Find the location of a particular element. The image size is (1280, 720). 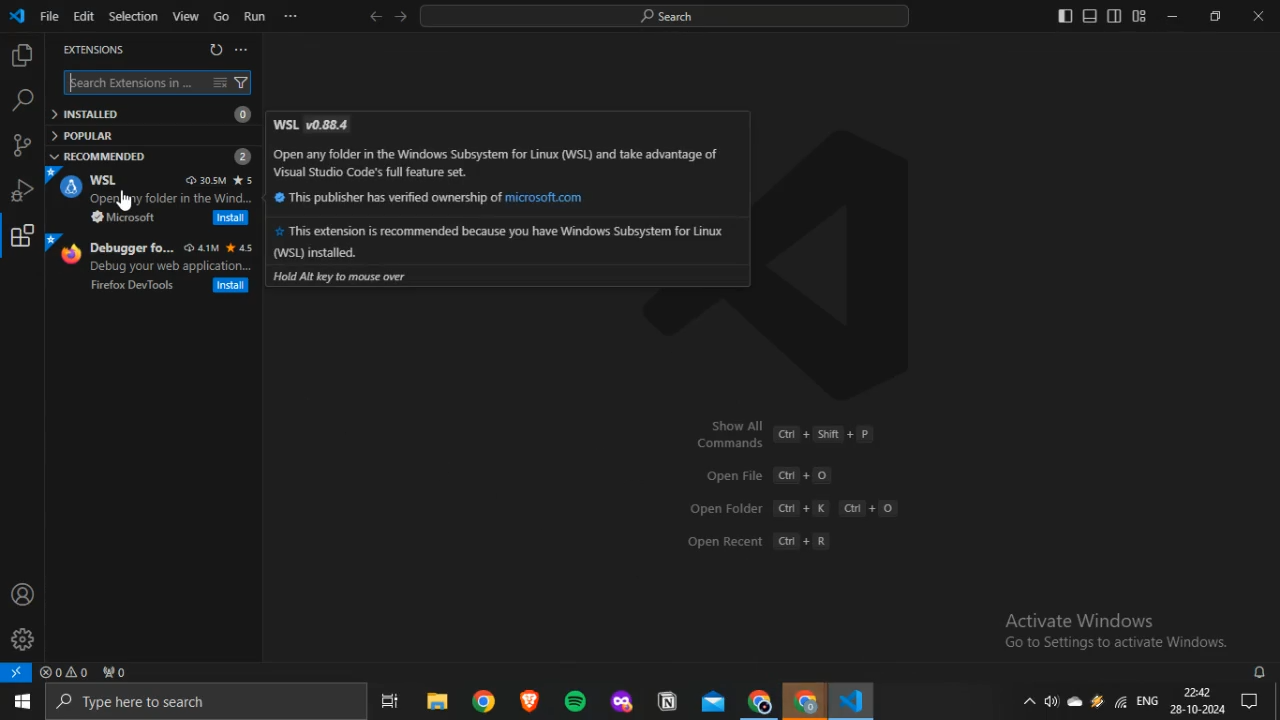

VScode is located at coordinates (850, 700).